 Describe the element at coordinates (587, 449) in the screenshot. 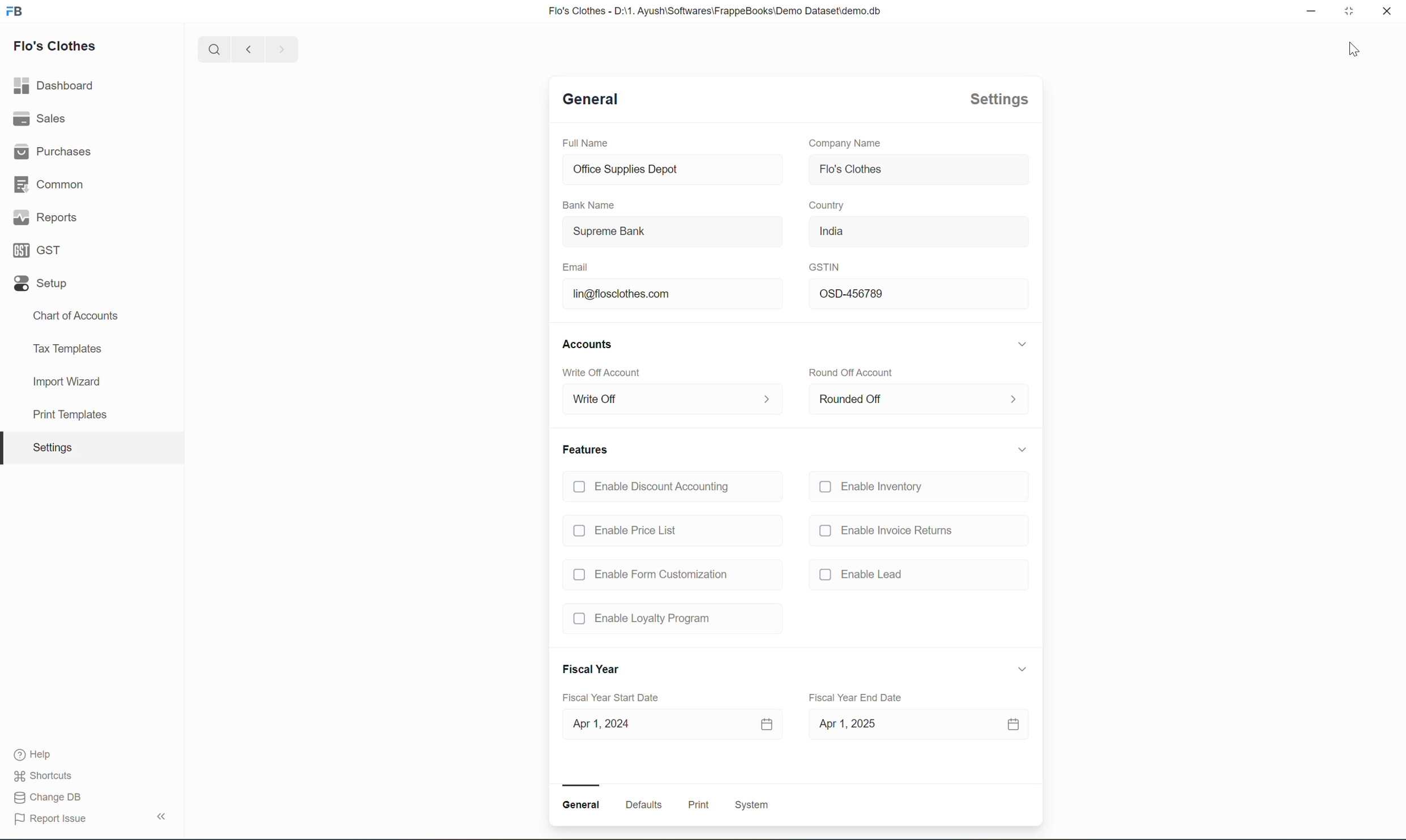

I see `Features` at that location.